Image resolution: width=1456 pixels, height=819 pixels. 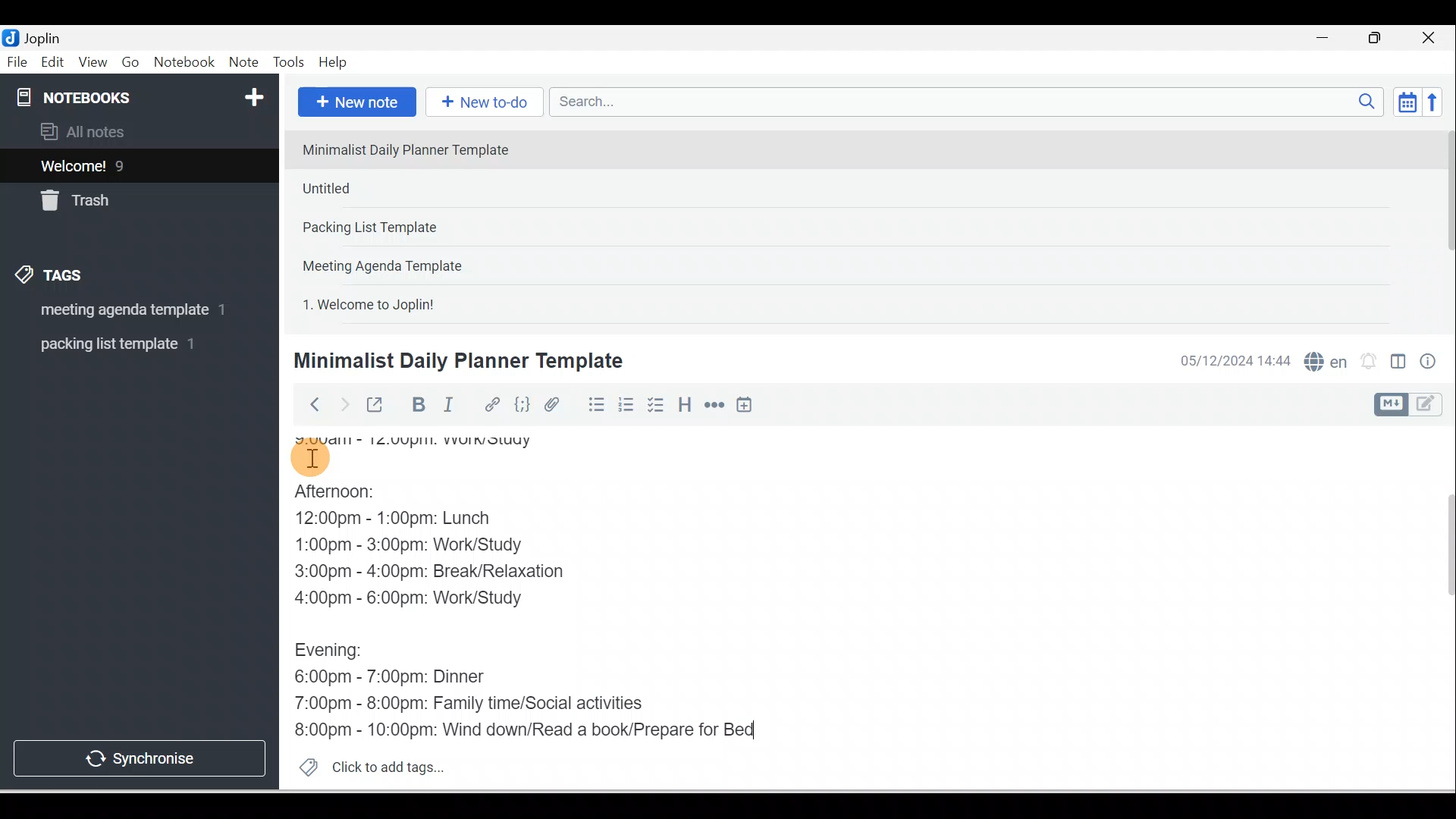 What do you see at coordinates (1429, 363) in the screenshot?
I see `Note properties` at bounding box center [1429, 363].